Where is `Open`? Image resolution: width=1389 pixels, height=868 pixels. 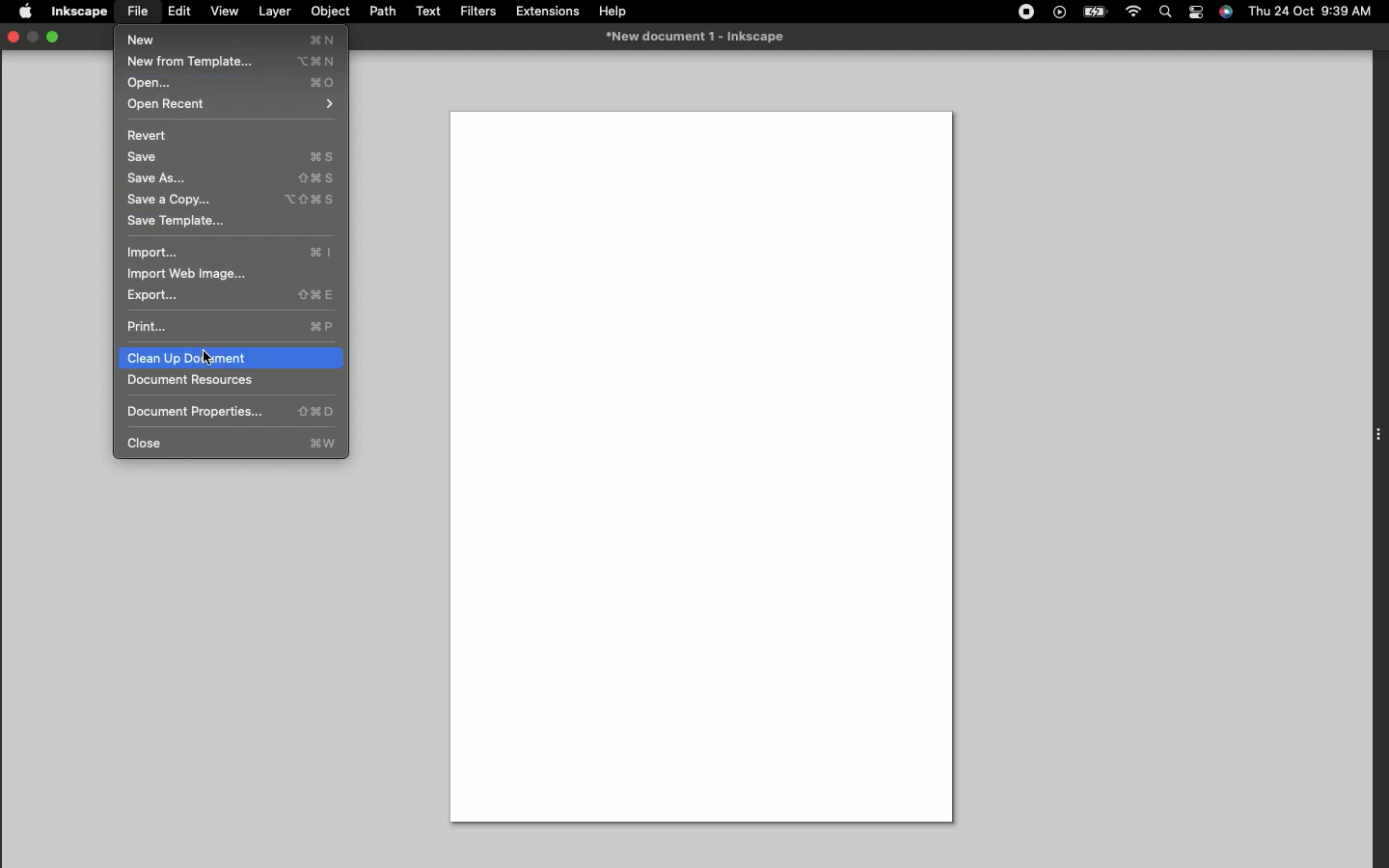 Open is located at coordinates (228, 84).